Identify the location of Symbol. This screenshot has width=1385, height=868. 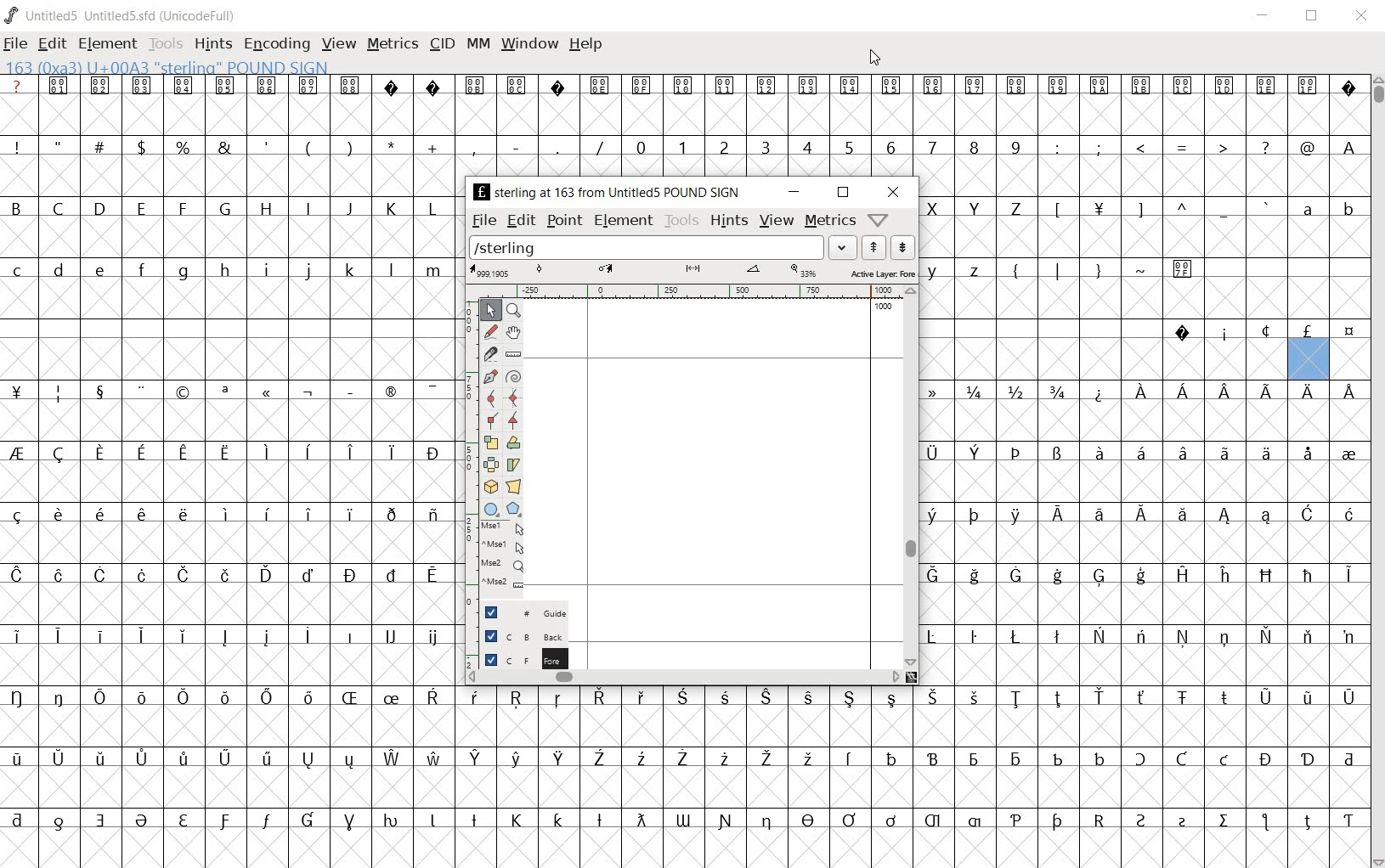
(266, 449).